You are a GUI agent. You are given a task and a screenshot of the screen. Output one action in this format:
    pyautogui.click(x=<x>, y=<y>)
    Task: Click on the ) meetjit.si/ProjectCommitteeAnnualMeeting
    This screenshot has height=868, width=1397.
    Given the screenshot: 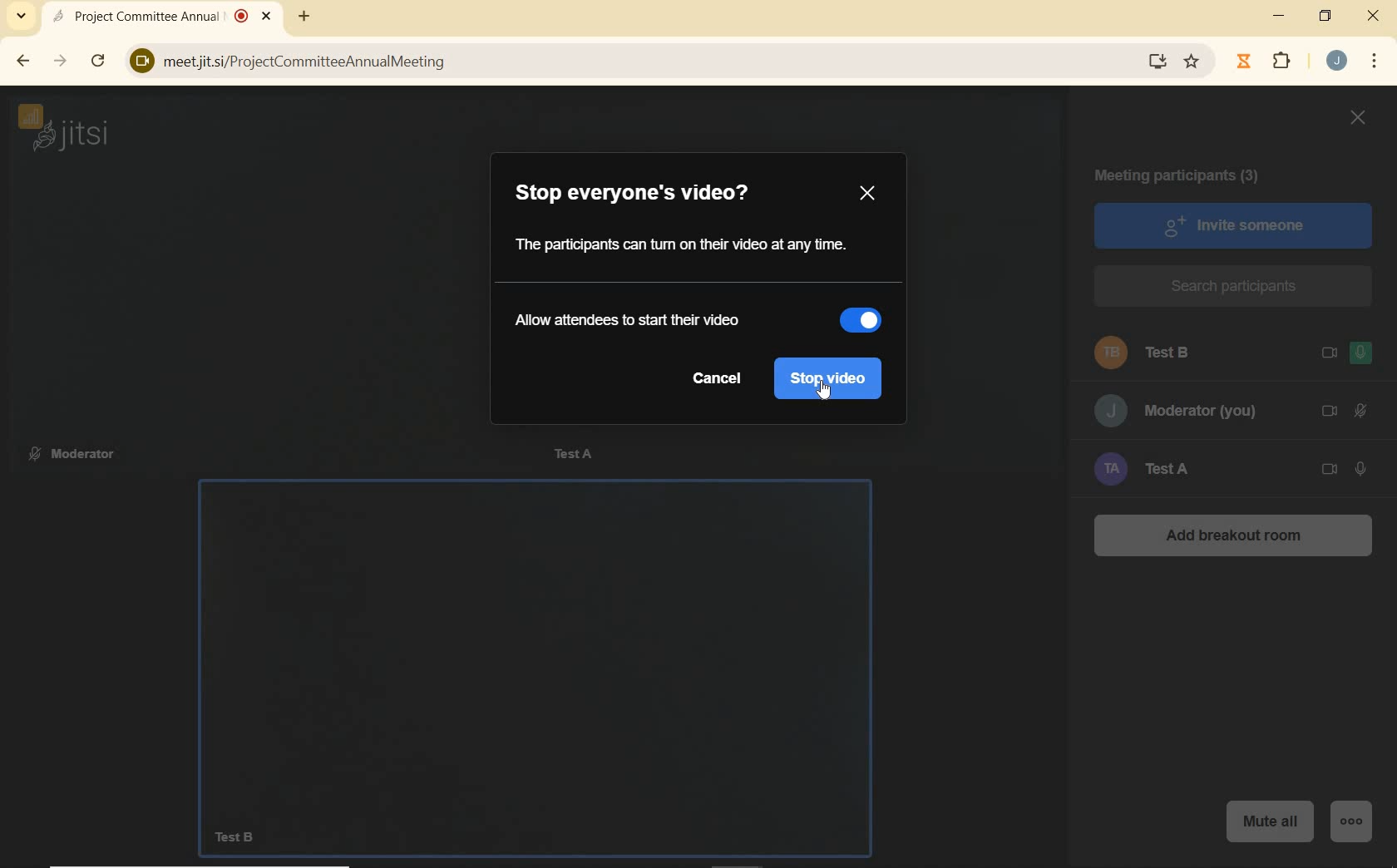 What is the action you would take?
    pyautogui.click(x=636, y=62)
    